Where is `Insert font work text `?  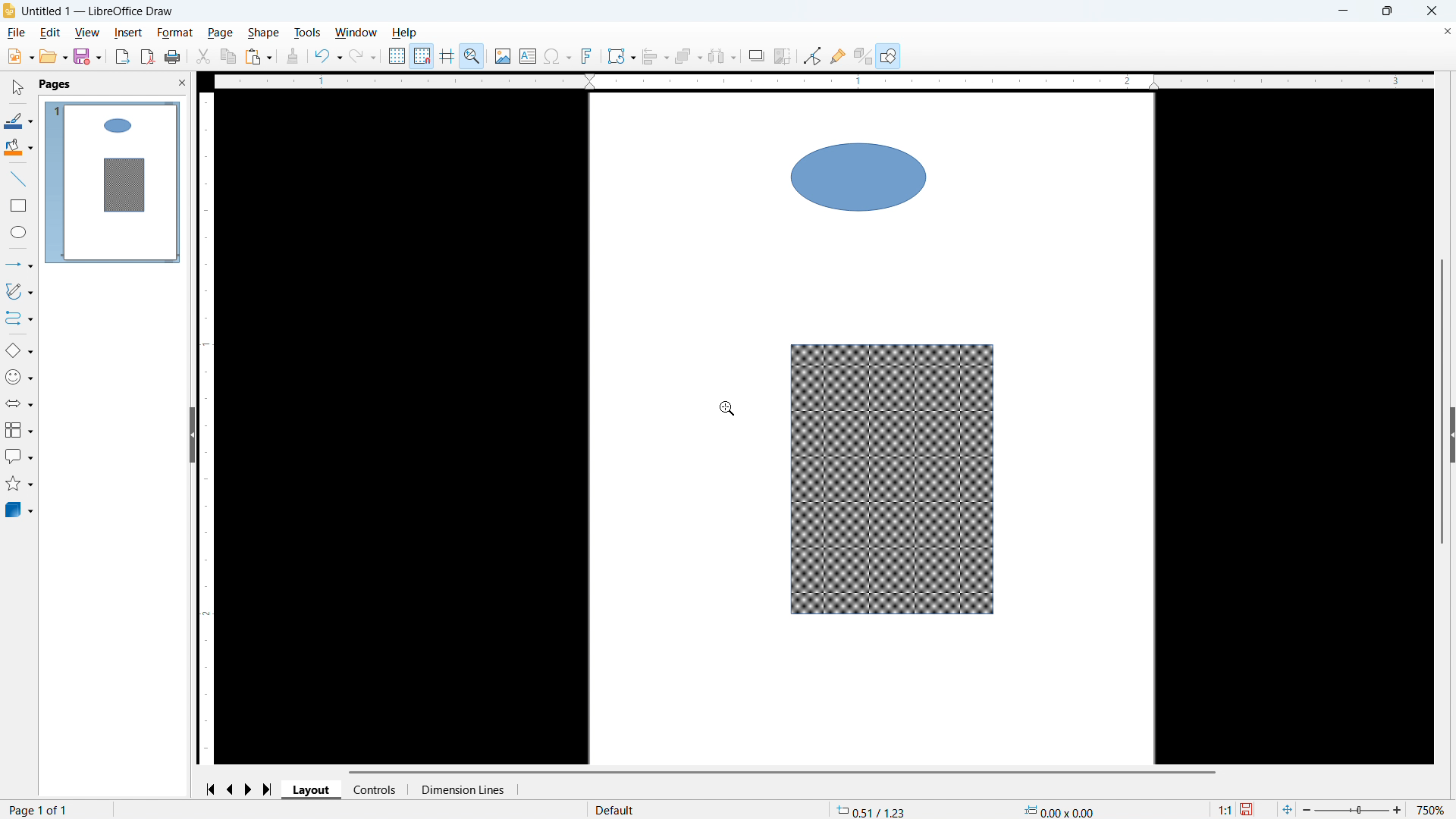 Insert font work text  is located at coordinates (588, 55).